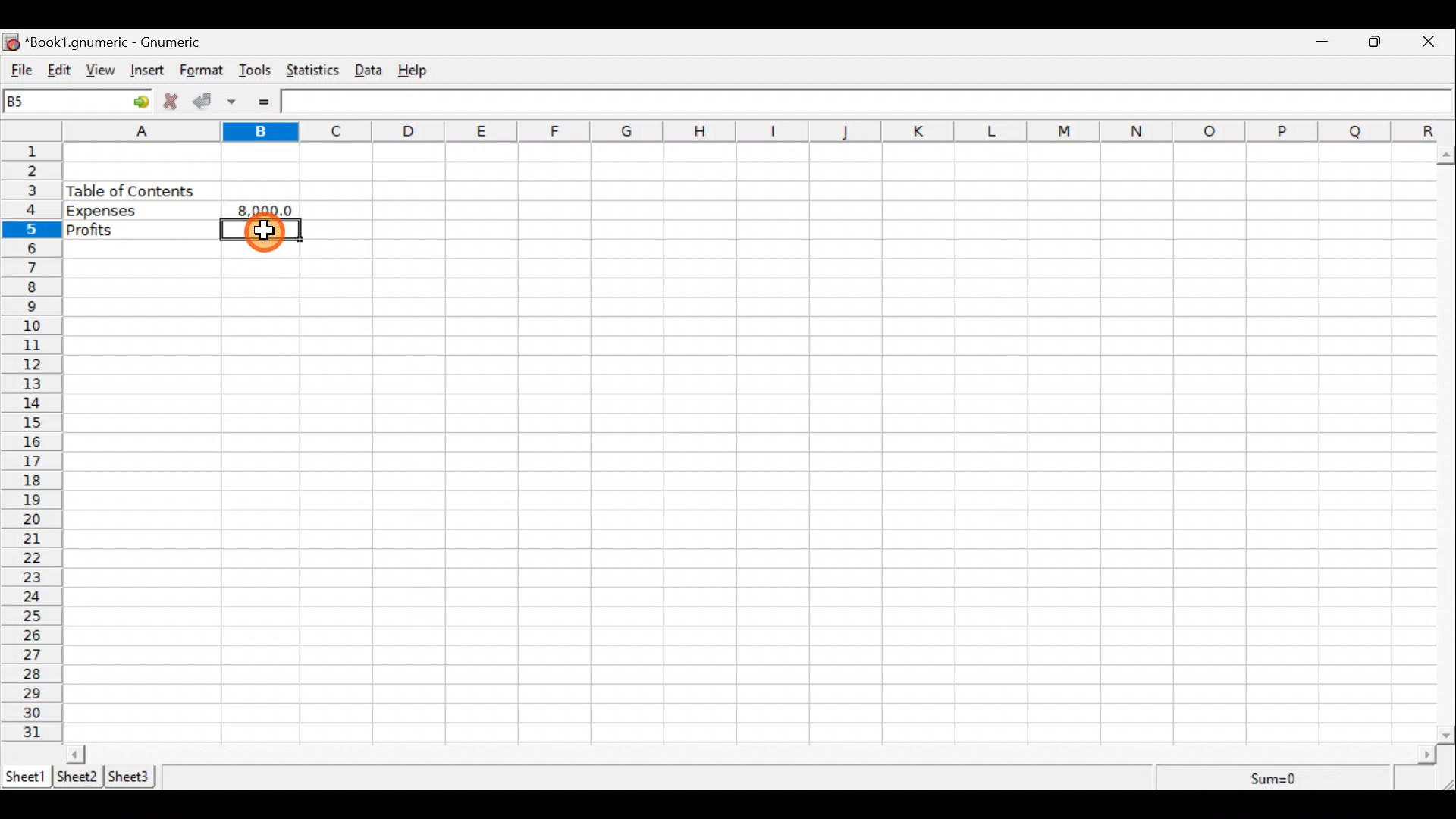 The height and width of the screenshot is (819, 1456). What do you see at coordinates (752, 754) in the screenshot?
I see `Scroll bar` at bounding box center [752, 754].